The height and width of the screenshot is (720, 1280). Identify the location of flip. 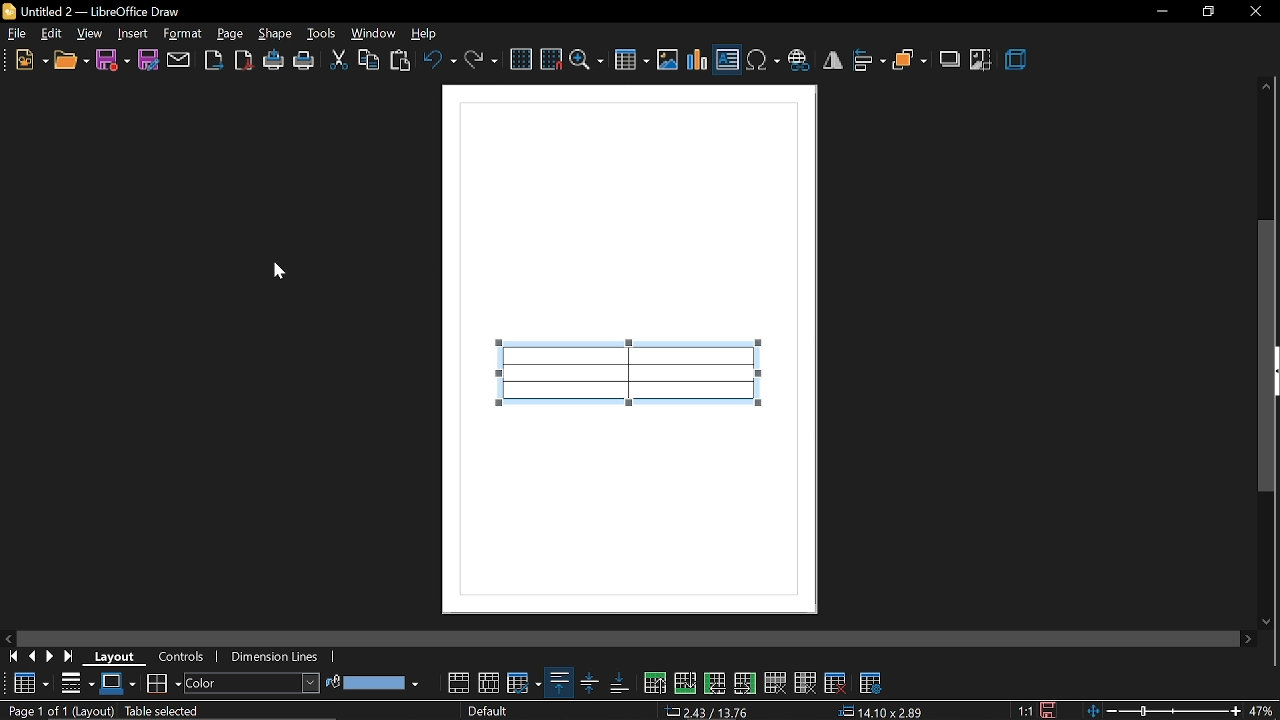
(834, 61).